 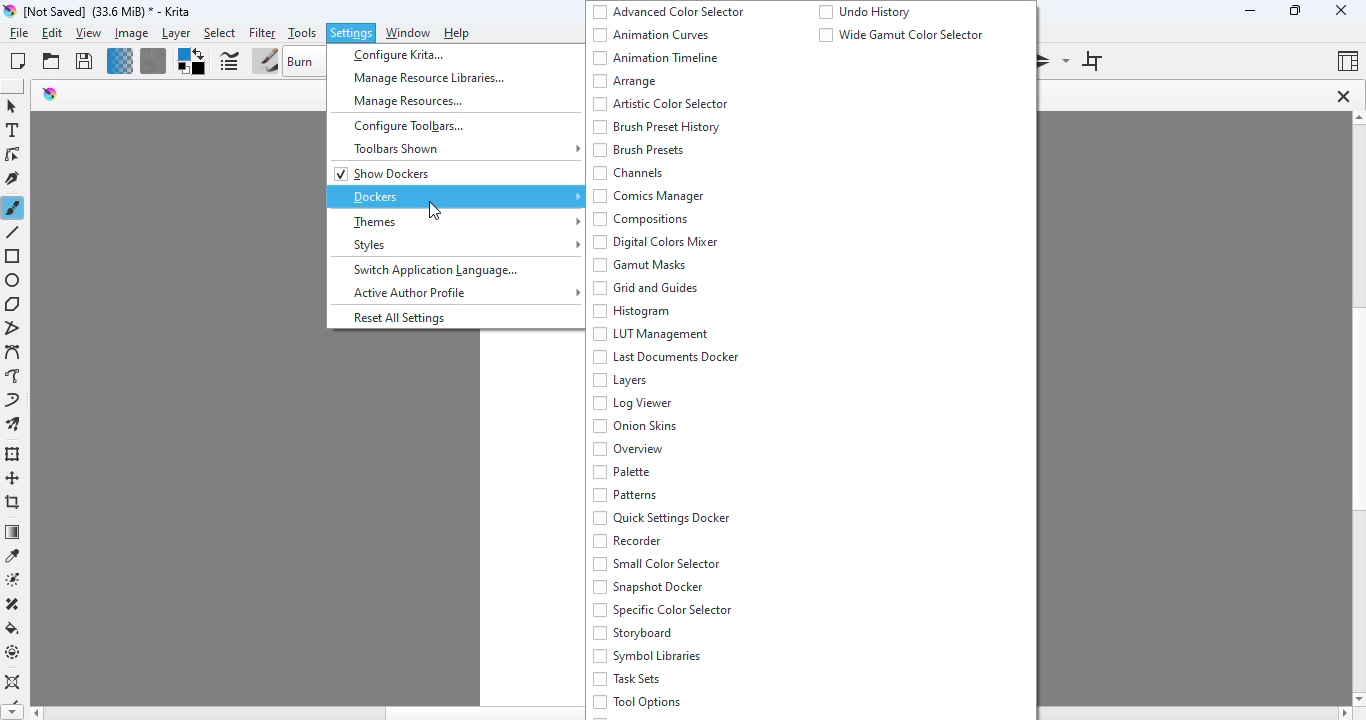 What do you see at coordinates (50, 93) in the screenshot?
I see `logo` at bounding box center [50, 93].